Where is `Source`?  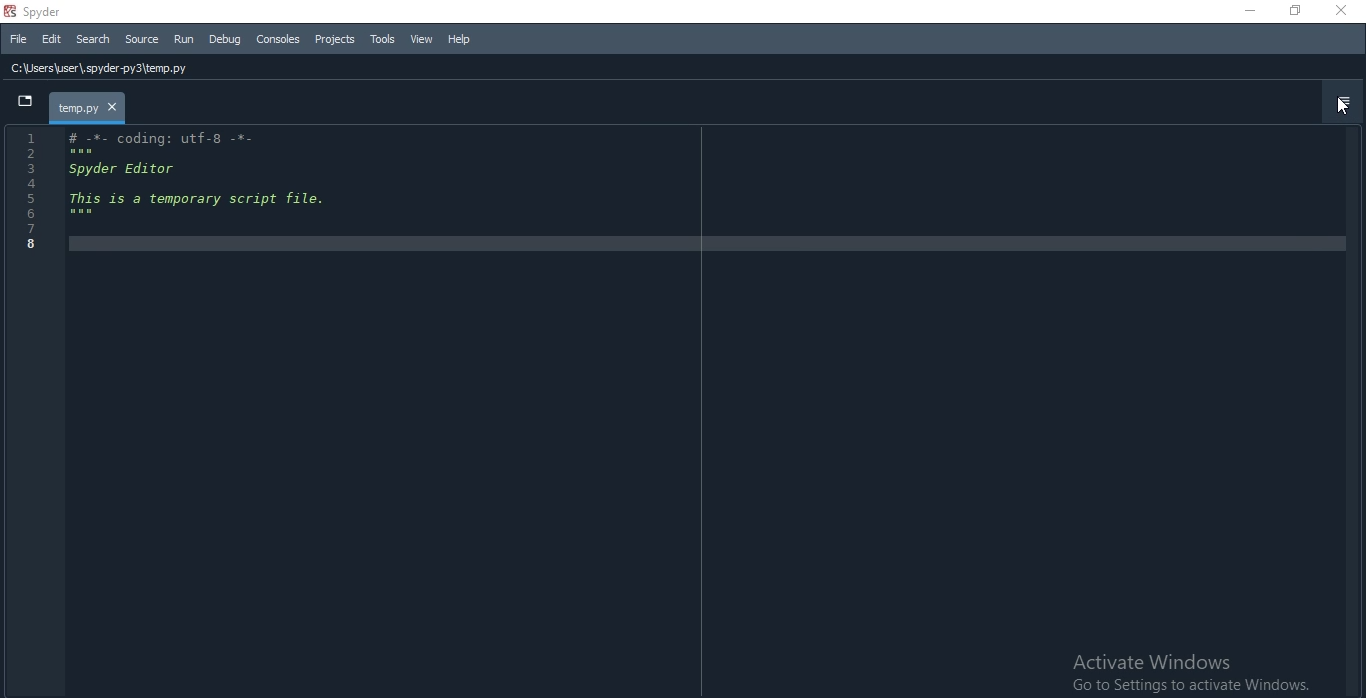 Source is located at coordinates (140, 40).